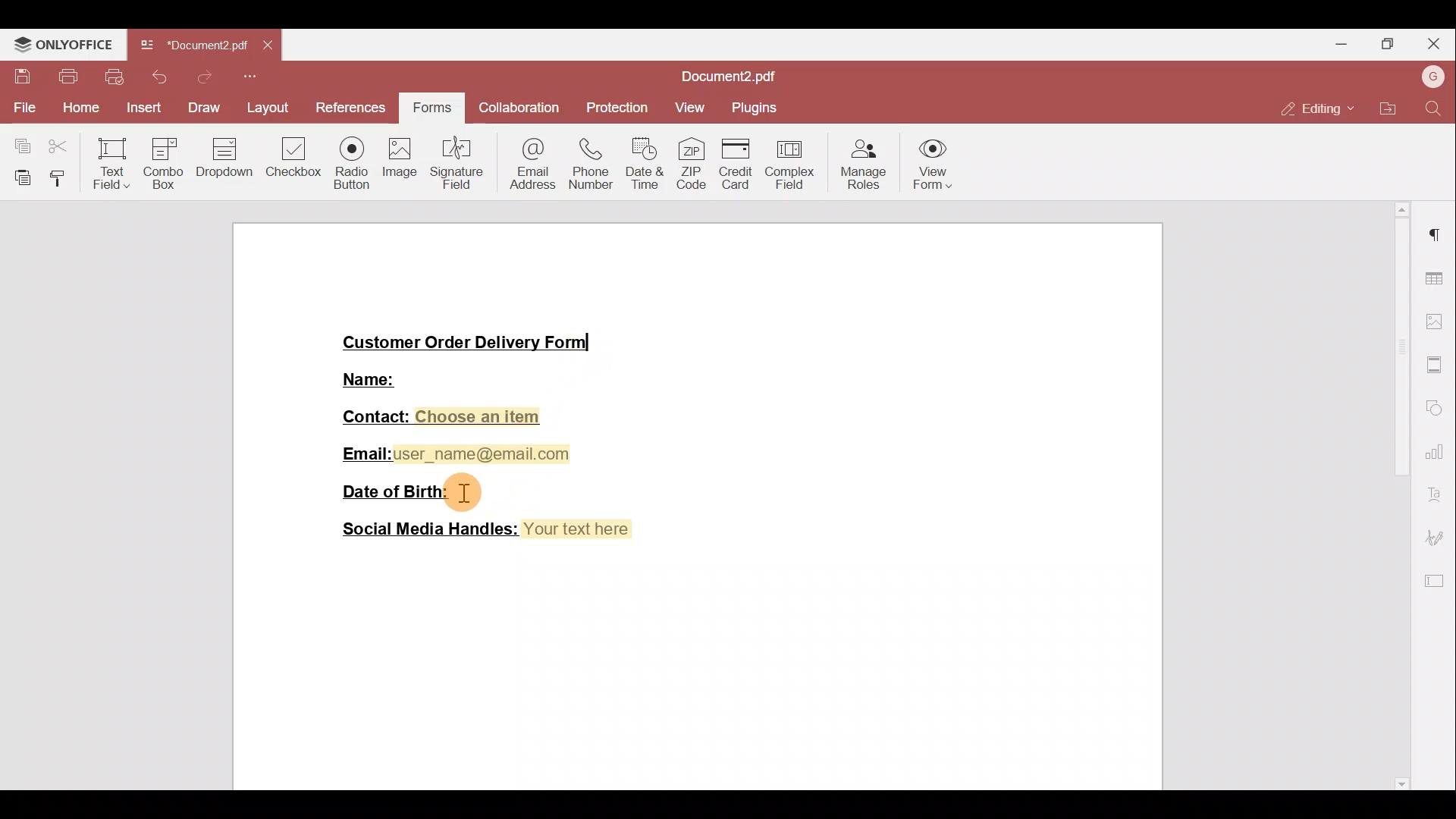  Describe the element at coordinates (459, 161) in the screenshot. I see `Signature field` at that location.